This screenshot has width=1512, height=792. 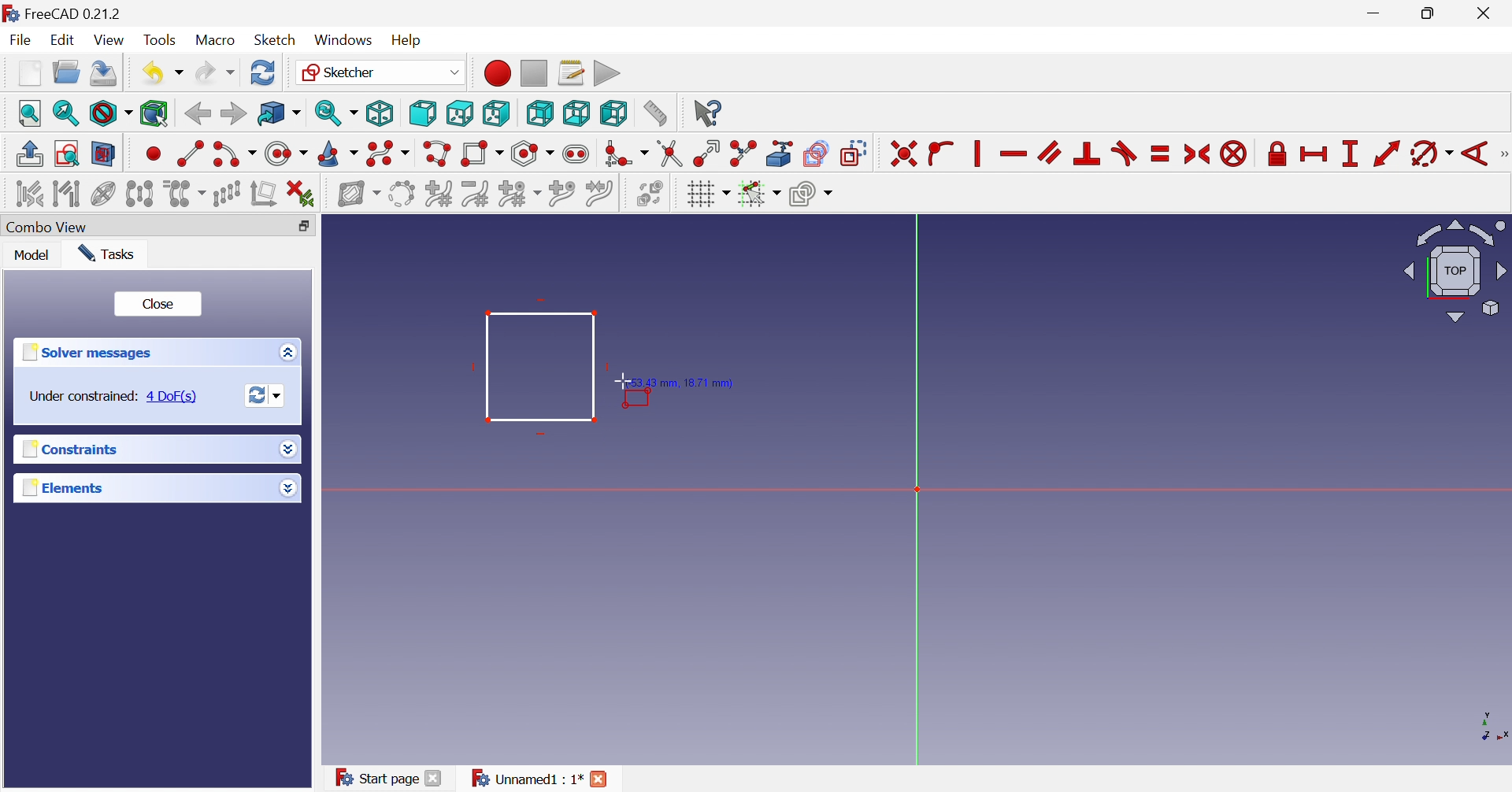 What do you see at coordinates (1314, 154) in the screenshot?
I see `Constrain horizontal distance` at bounding box center [1314, 154].